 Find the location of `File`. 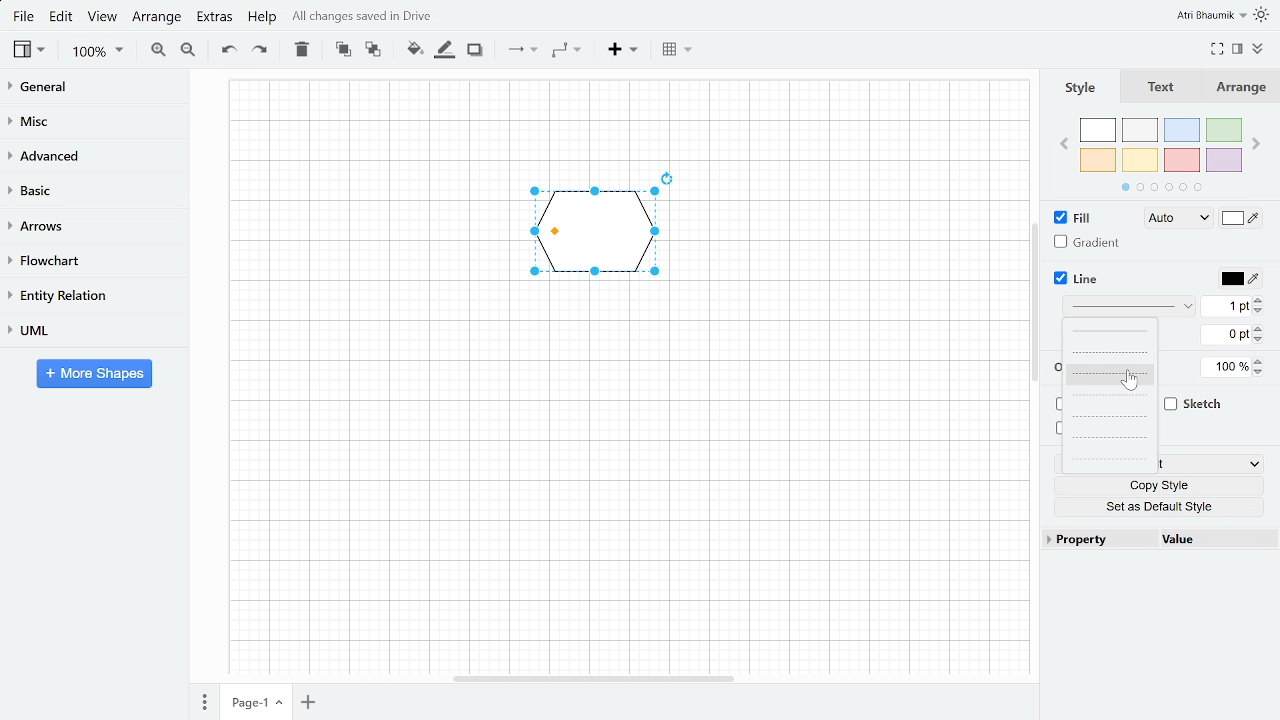

File is located at coordinates (25, 17).